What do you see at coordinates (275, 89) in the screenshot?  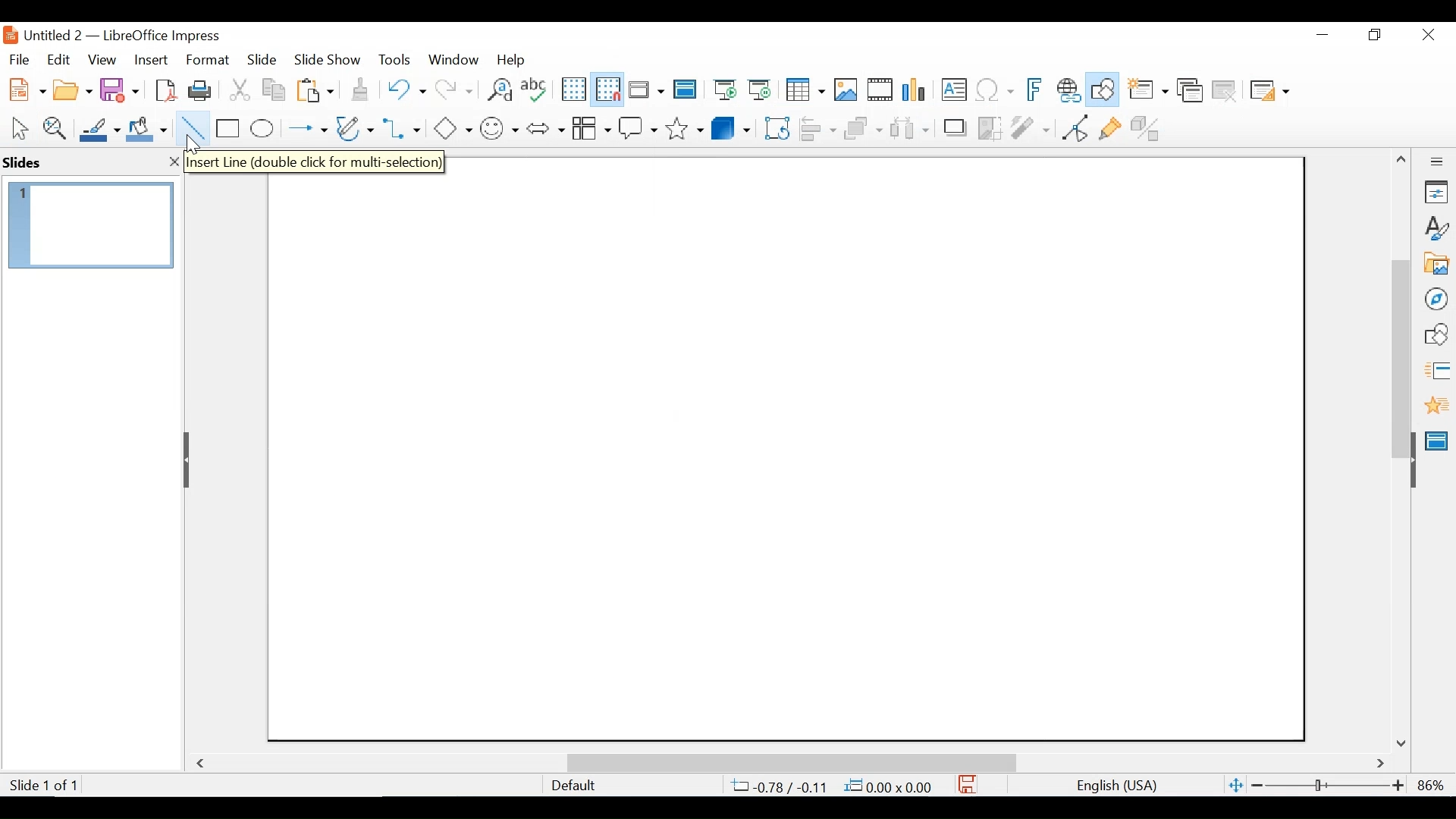 I see `Copy` at bounding box center [275, 89].